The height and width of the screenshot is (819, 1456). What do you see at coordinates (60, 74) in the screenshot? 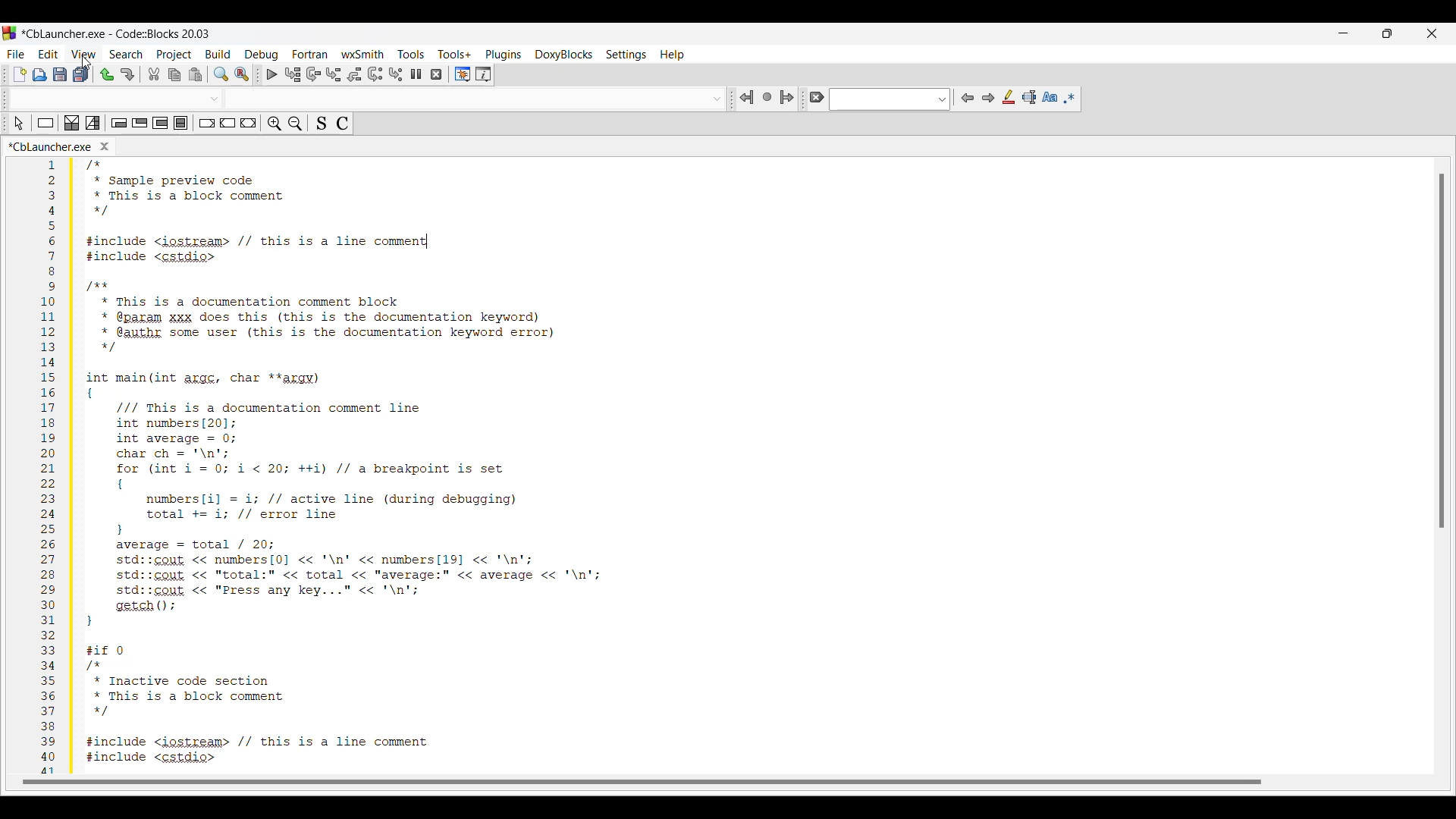
I see `Save` at bounding box center [60, 74].